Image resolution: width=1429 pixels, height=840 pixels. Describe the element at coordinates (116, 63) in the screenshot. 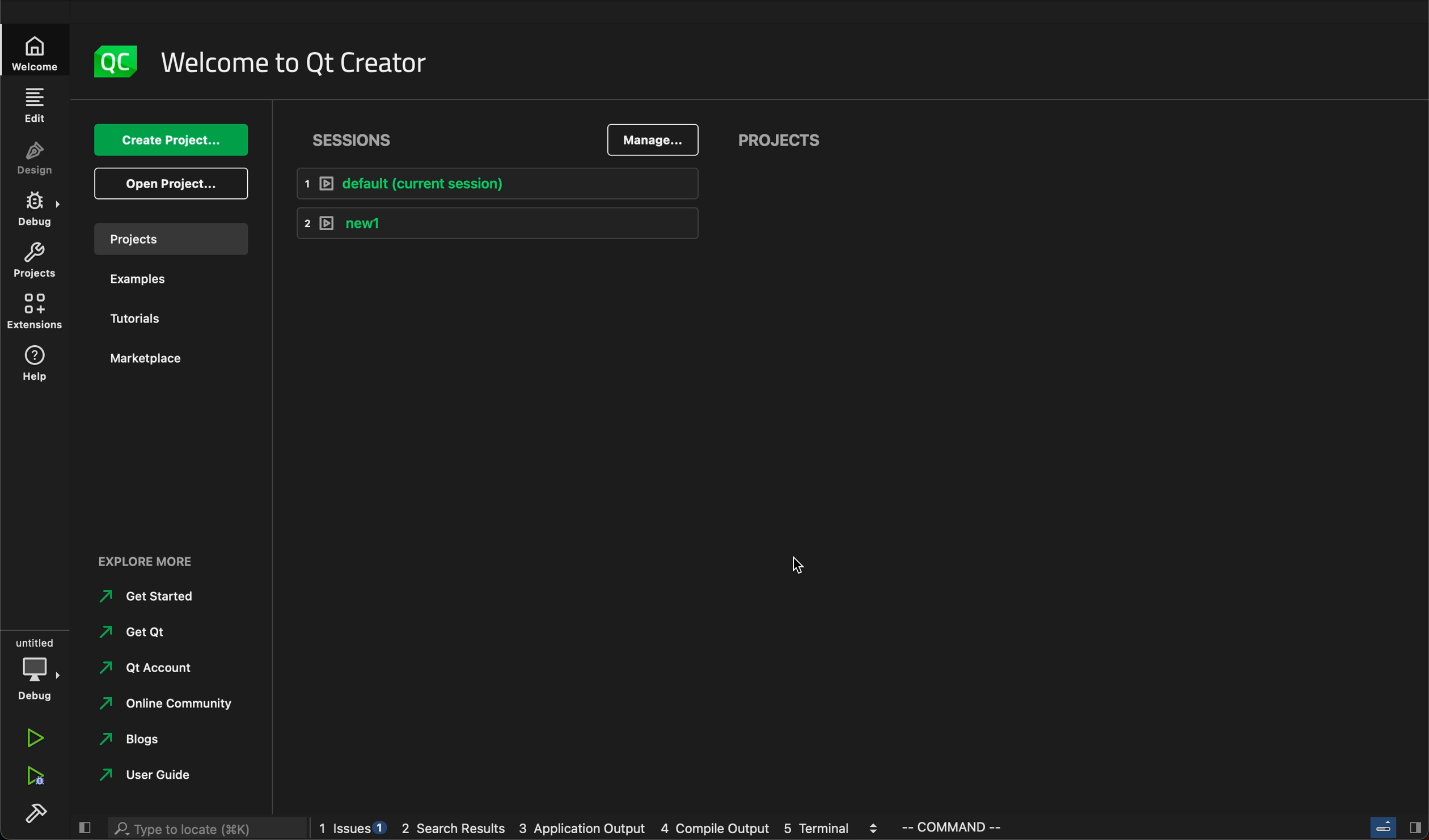

I see `logo` at that location.